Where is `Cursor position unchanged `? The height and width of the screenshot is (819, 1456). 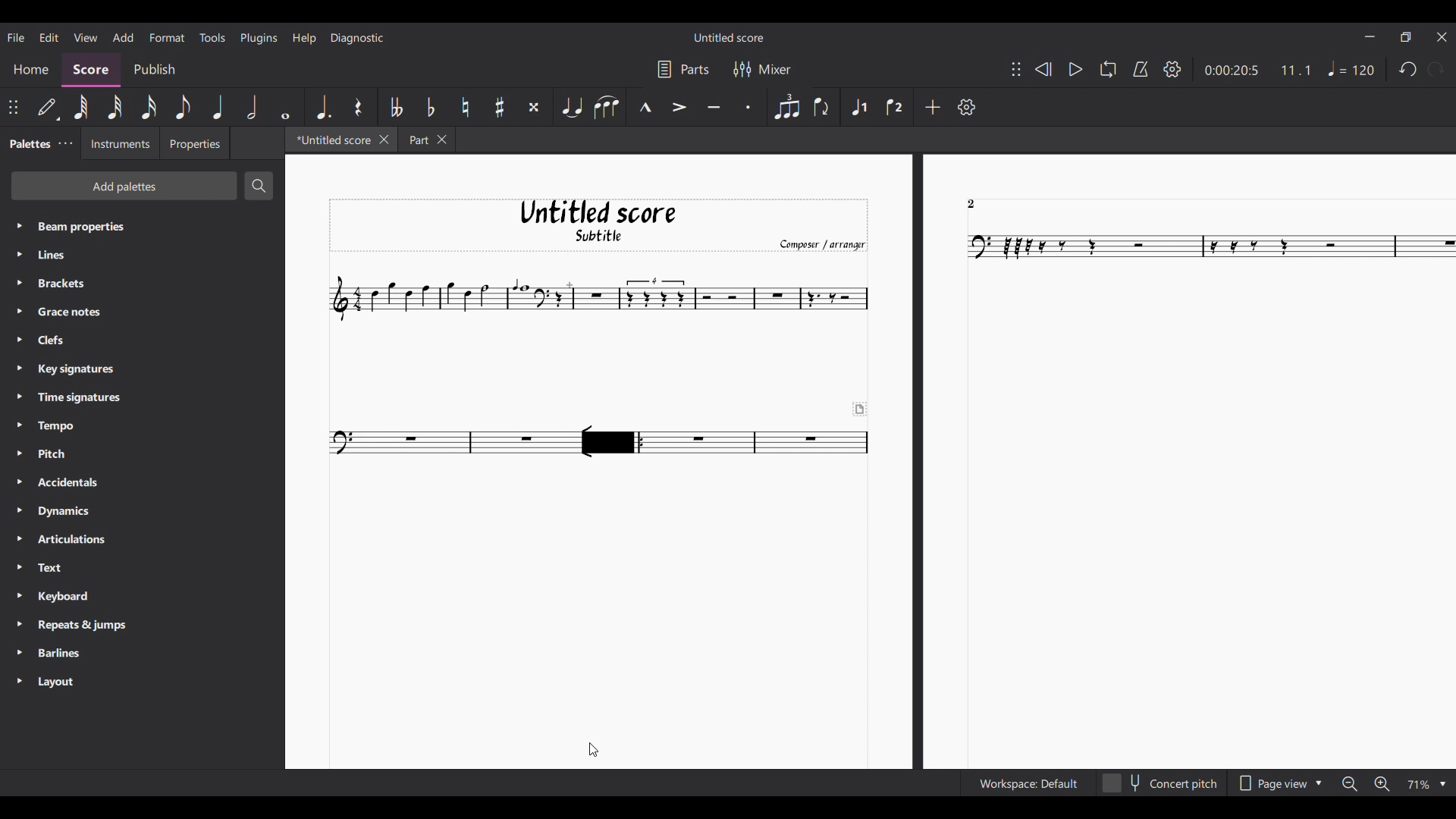 Cursor position unchanged  is located at coordinates (594, 749).